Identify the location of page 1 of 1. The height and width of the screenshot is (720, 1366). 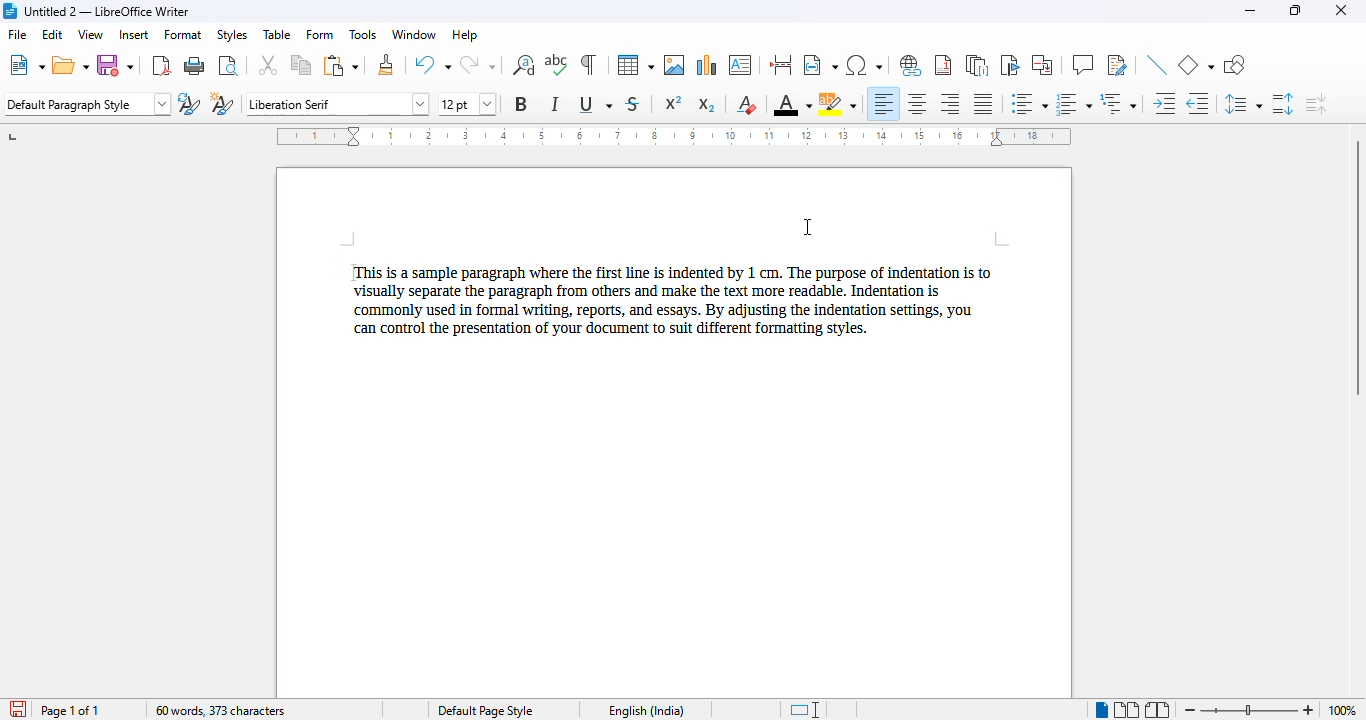
(70, 710).